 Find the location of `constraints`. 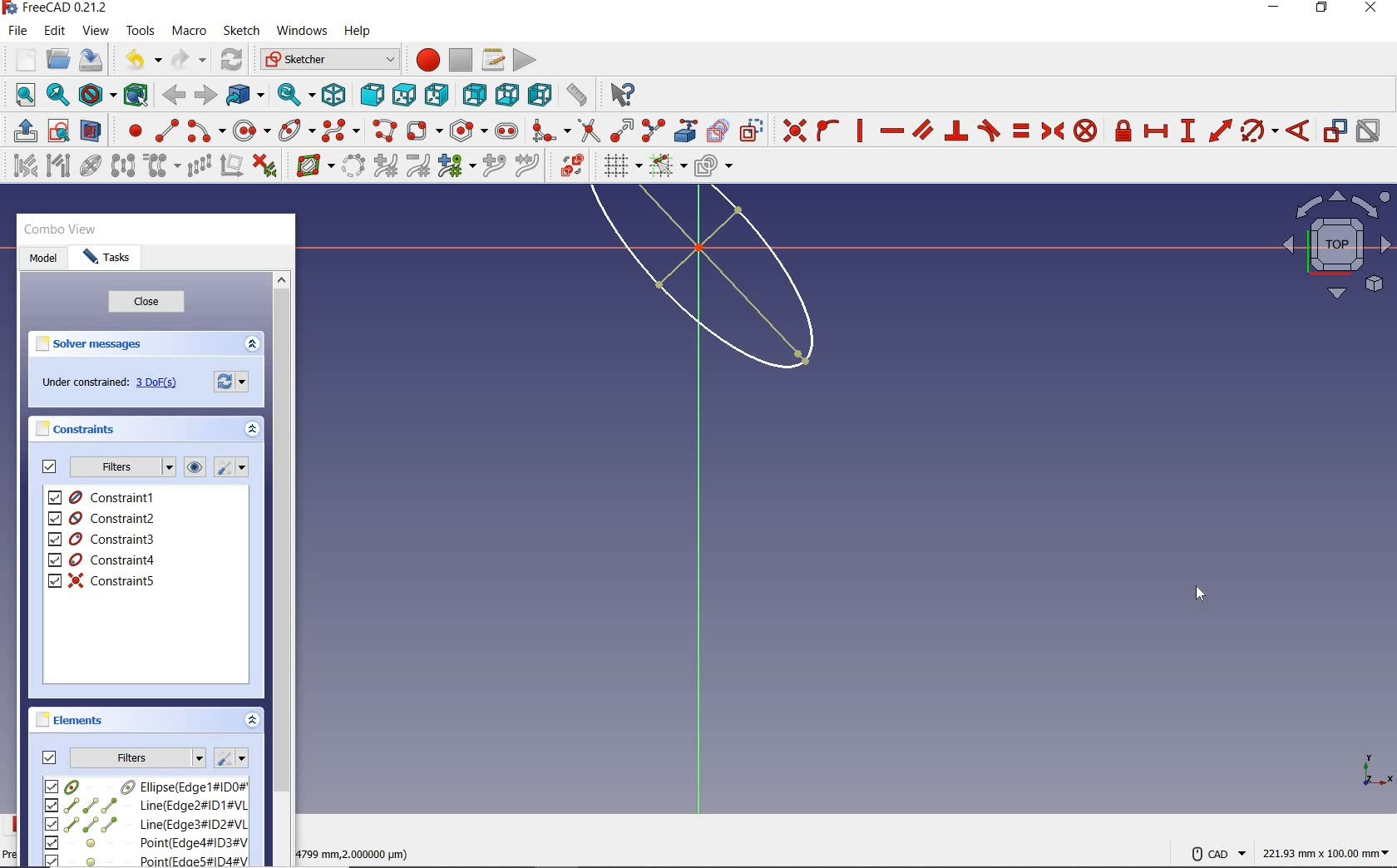

constraints is located at coordinates (80, 428).